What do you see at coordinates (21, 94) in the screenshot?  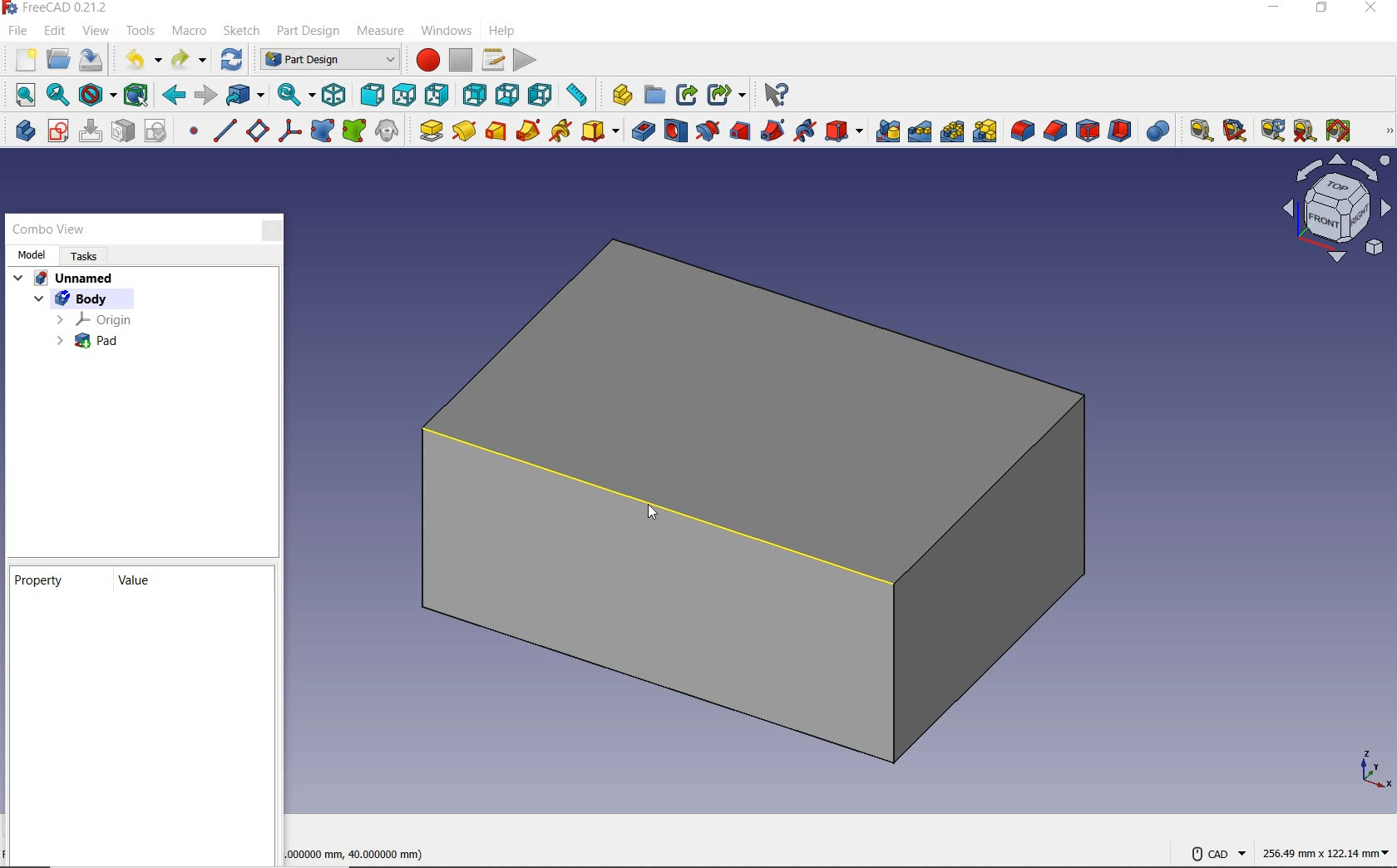 I see `fit all` at bounding box center [21, 94].